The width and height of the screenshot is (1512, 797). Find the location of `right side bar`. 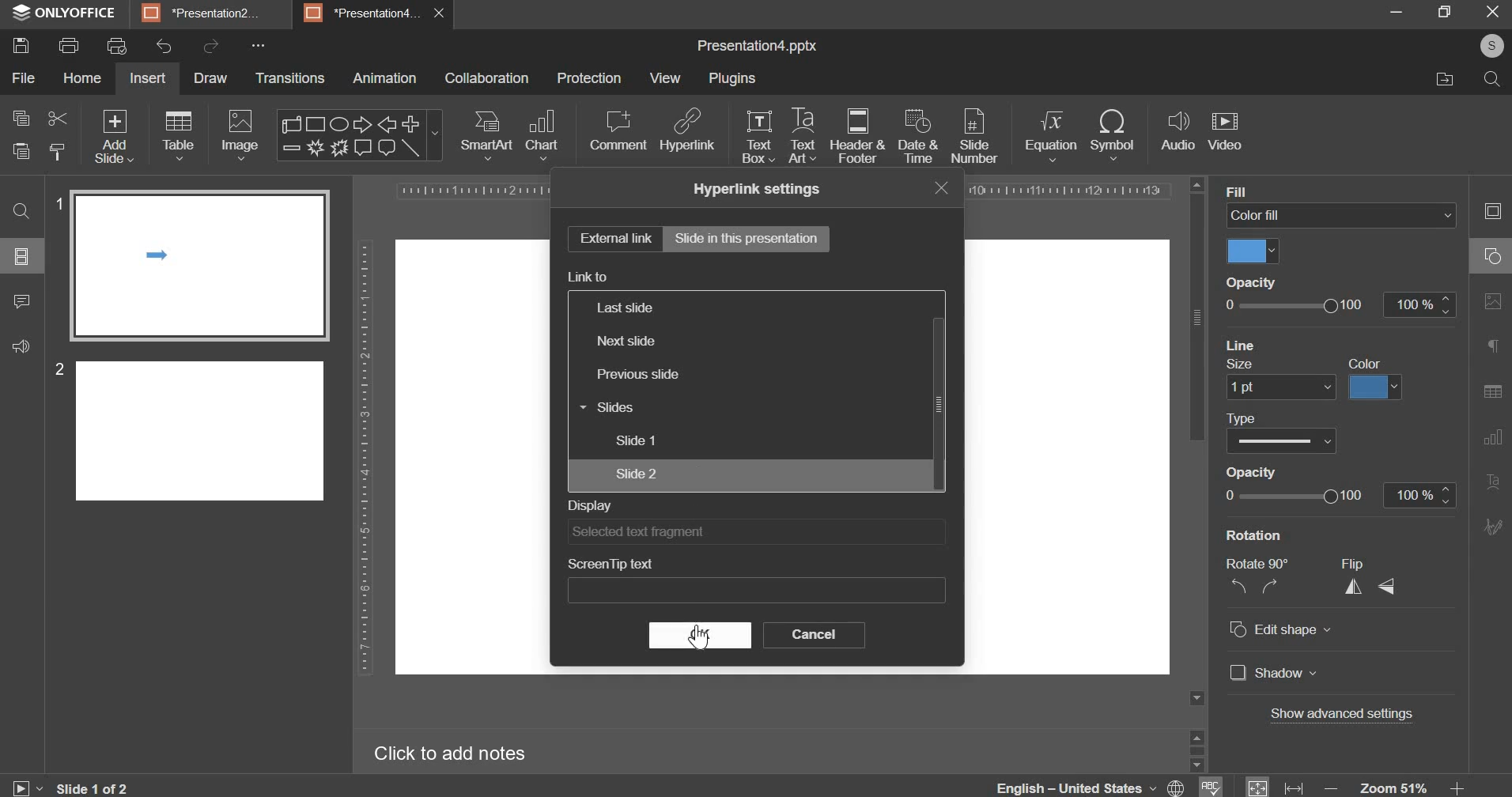

right side bar is located at coordinates (1489, 365).